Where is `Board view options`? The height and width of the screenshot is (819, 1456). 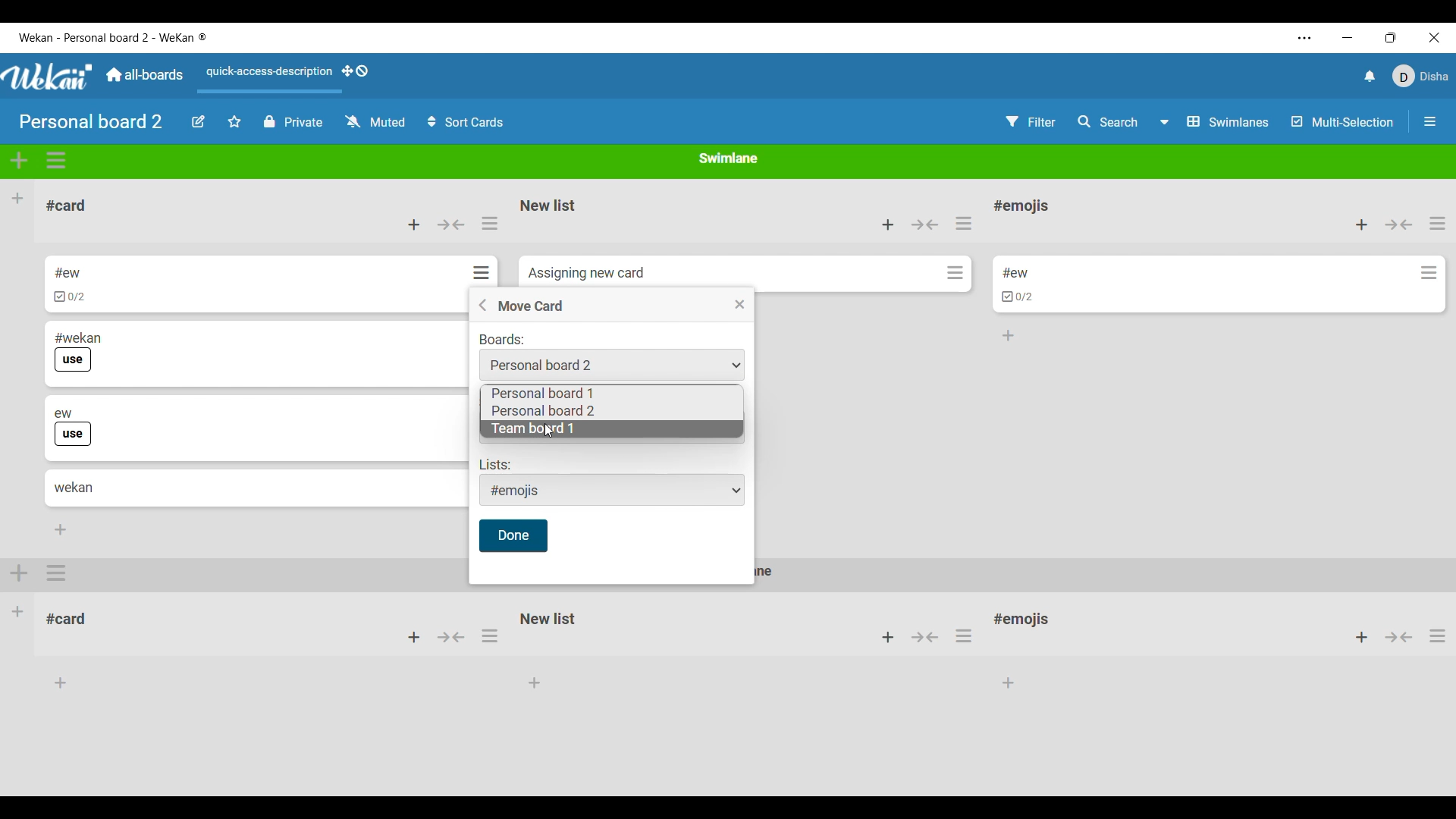 Board view options is located at coordinates (1215, 122).